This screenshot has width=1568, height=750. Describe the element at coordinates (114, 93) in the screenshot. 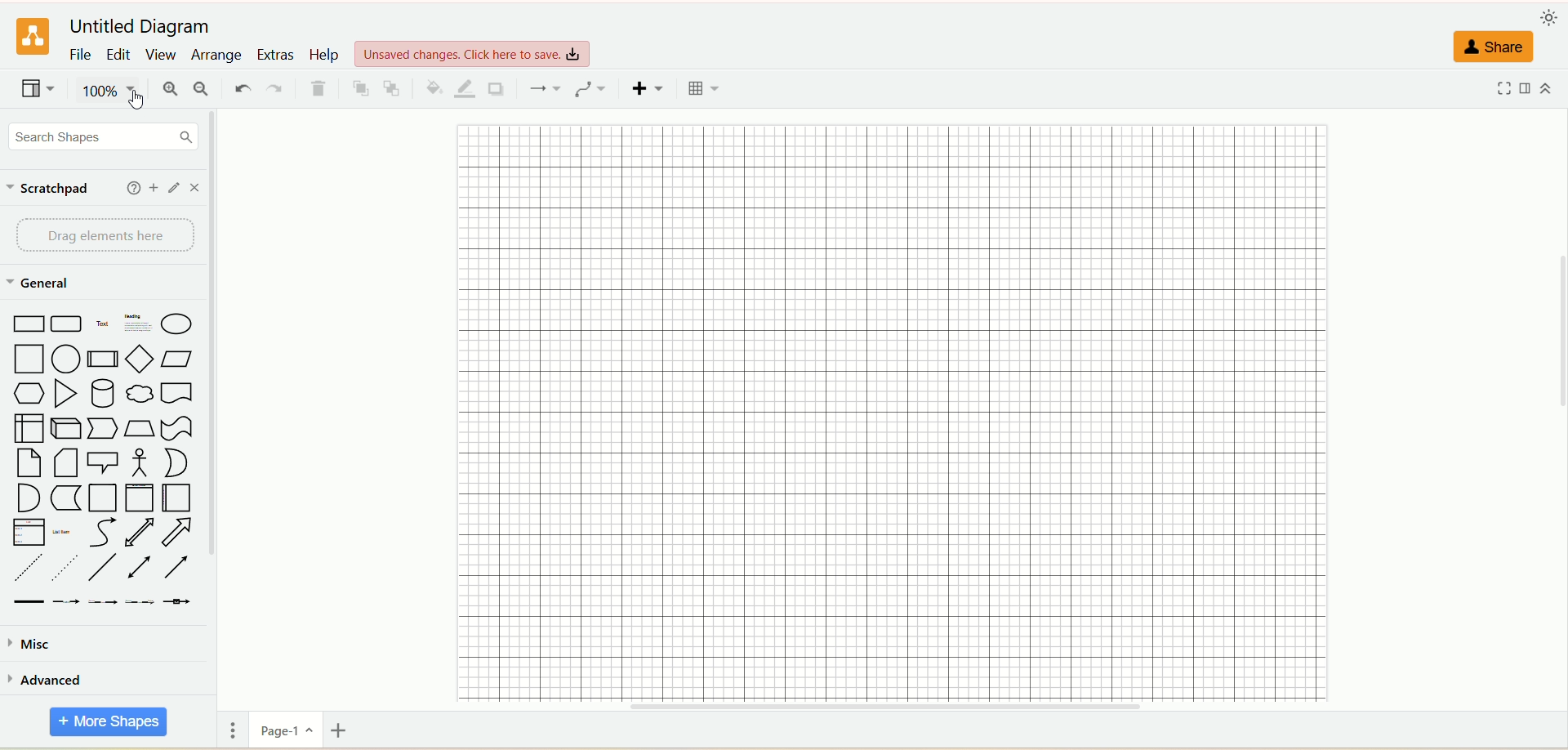

I see `zoom factor` at that location.